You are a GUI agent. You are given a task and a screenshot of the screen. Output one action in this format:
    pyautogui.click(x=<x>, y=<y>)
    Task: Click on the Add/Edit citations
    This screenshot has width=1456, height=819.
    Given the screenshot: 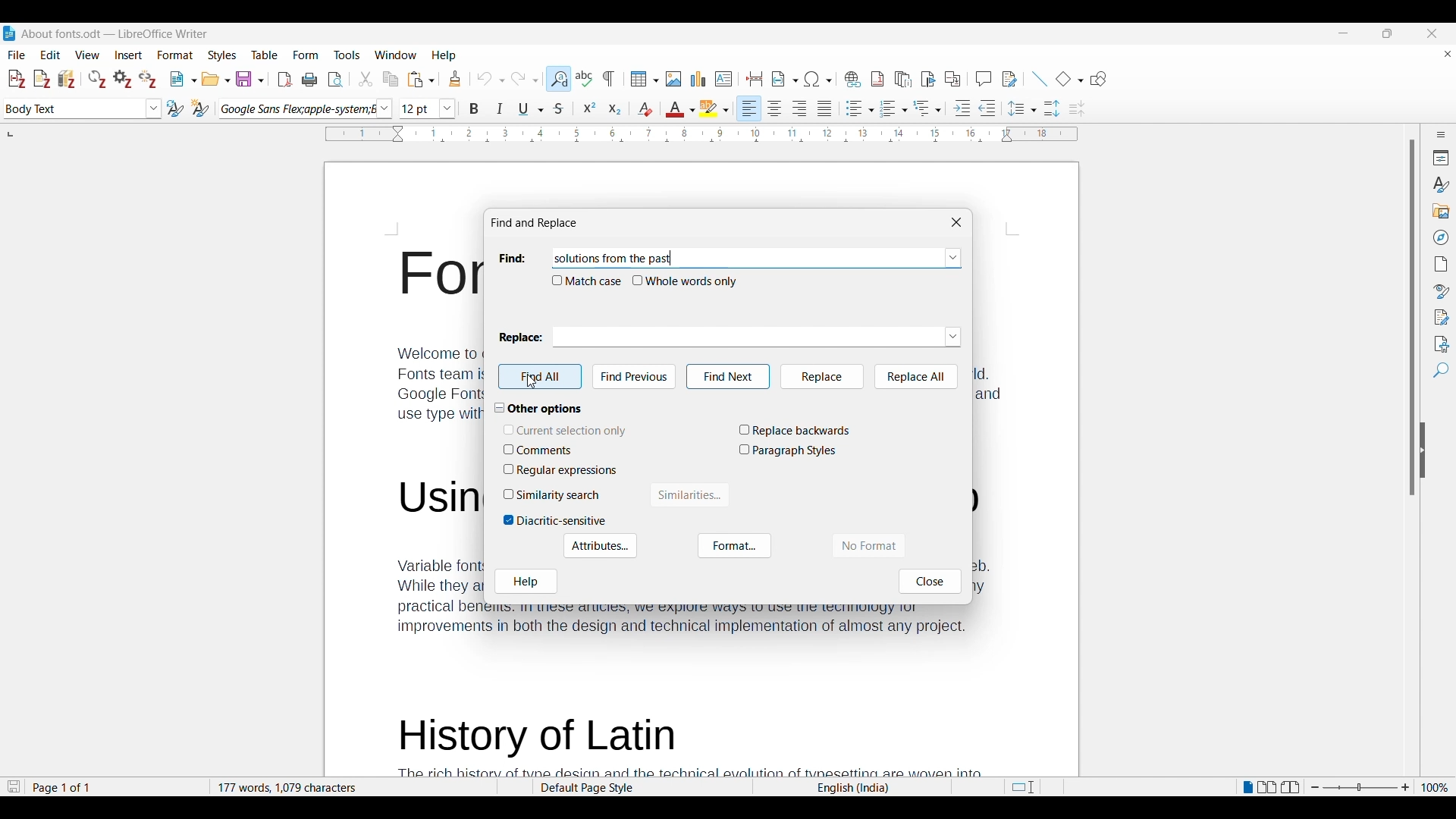 What is the action you would take?
    pyautogui.click(x=17, y=80)
    